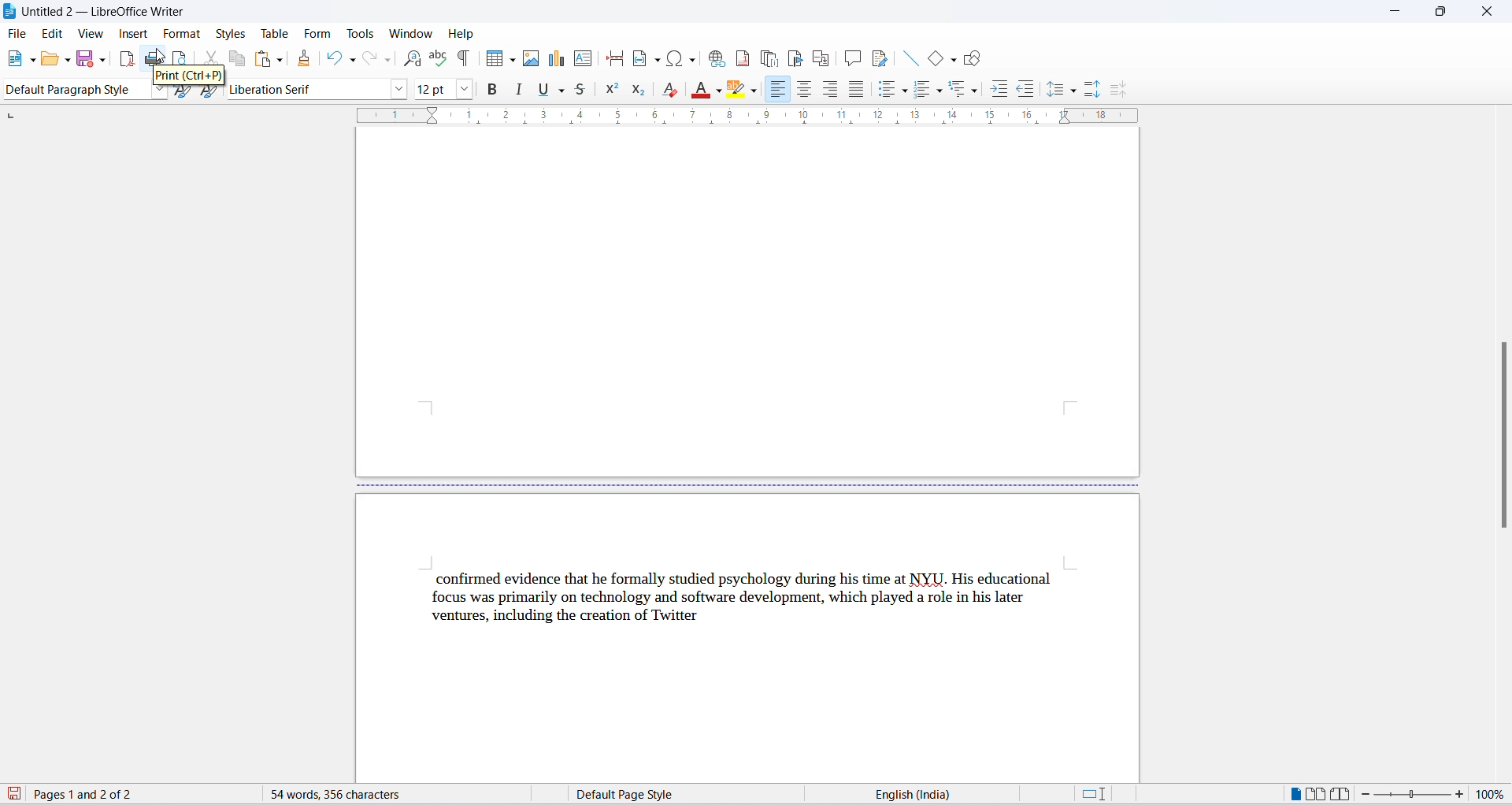 This screenshot has width=1512, height=805. What do you see at coordinates (260, 59) in the screenshot?
I see `paste` at bounding box center [260, 59].